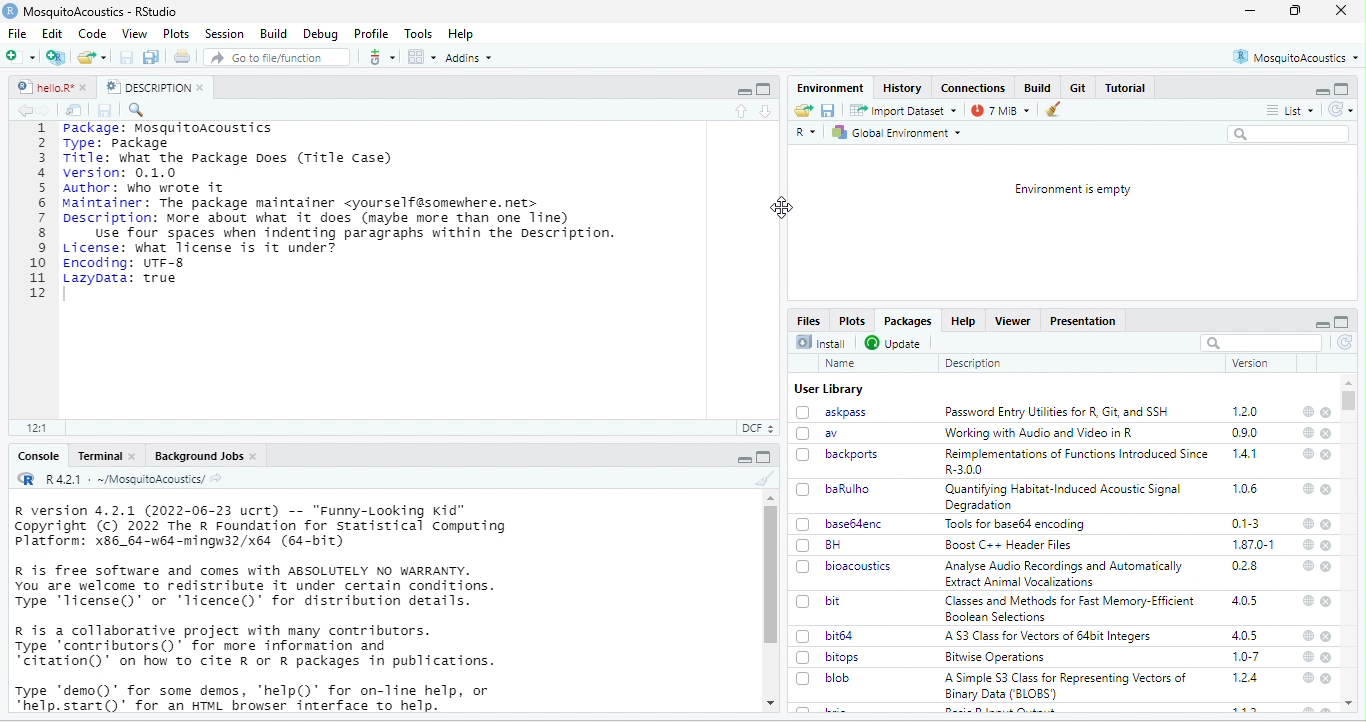 Image resolution: width=1366 pixels, height=722 pixels. What do you see at coordinates (1327, 659) in the screenshot?
I see `close` at bounding box center [1327, 659].